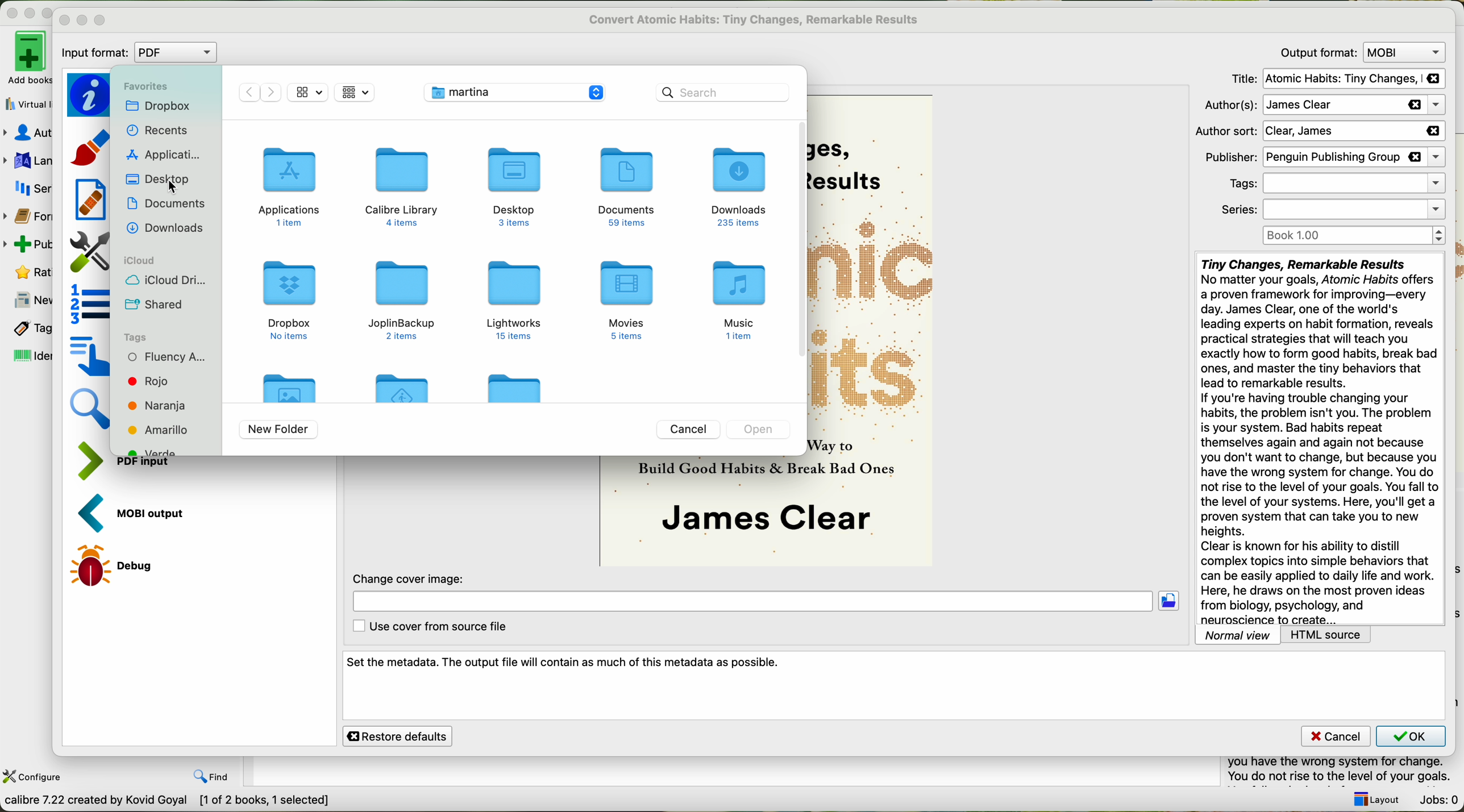 This screenshot has height=812, width=1464. I want to click on icloud drive, so click(165, 281).